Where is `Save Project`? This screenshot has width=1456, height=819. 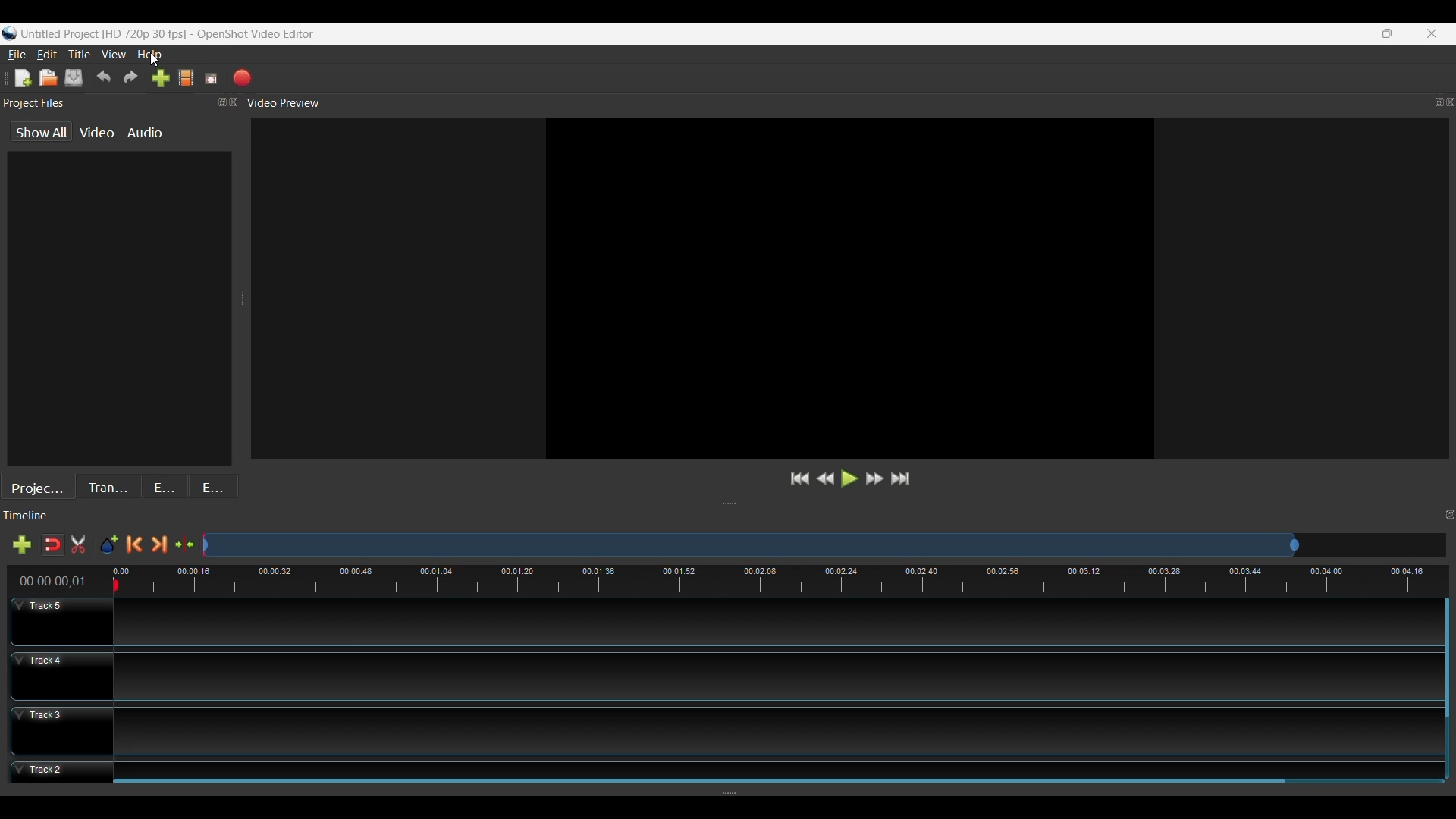 Save Project is located at coordinates (75, 78).